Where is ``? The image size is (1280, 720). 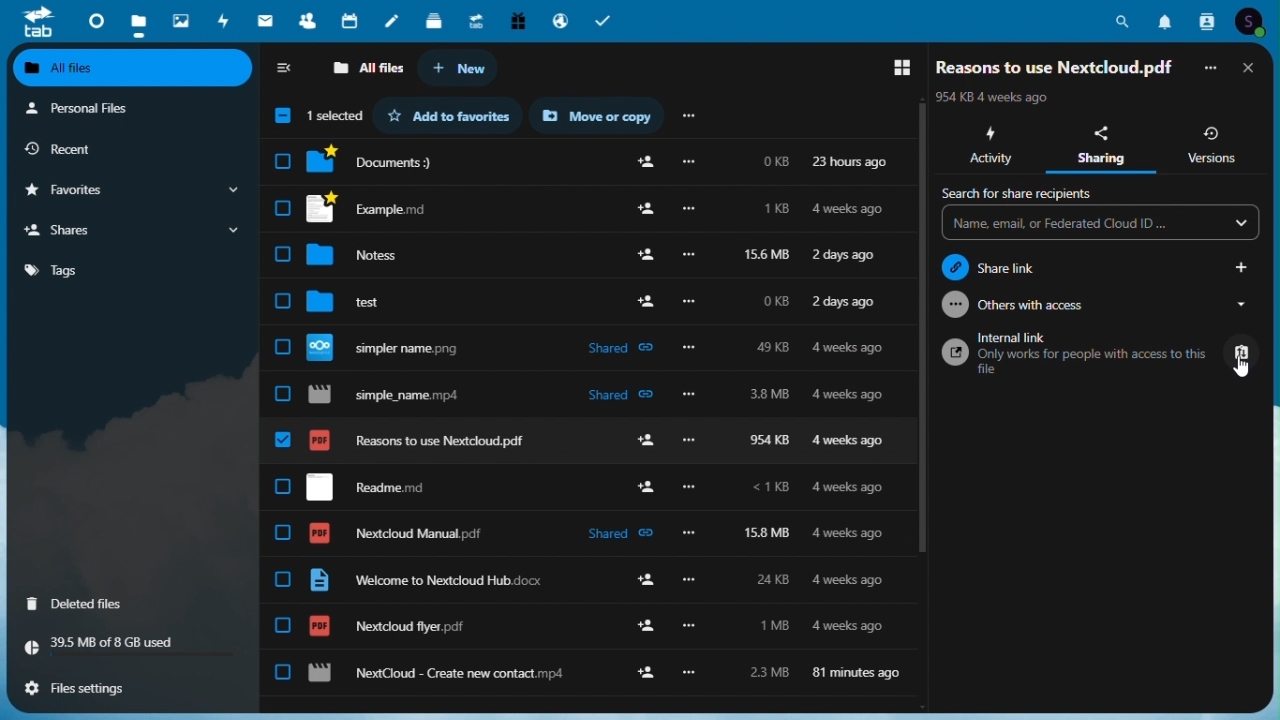
 is located at coordinates (684, 348).